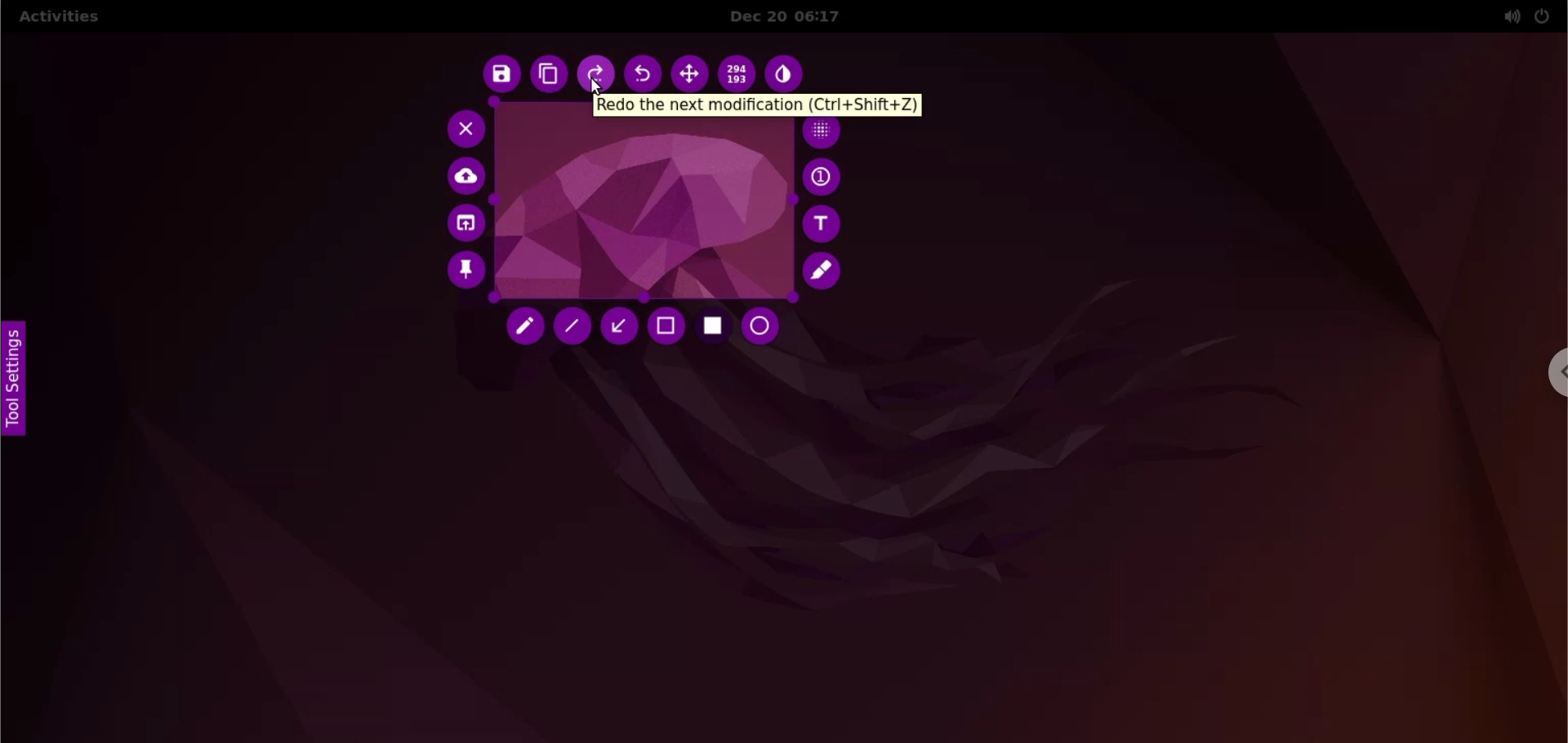 The height and width of the screenshot is (743, 1568). Describe the element at coordinates (498, 75) in the screenshot. I see `save` at that location.